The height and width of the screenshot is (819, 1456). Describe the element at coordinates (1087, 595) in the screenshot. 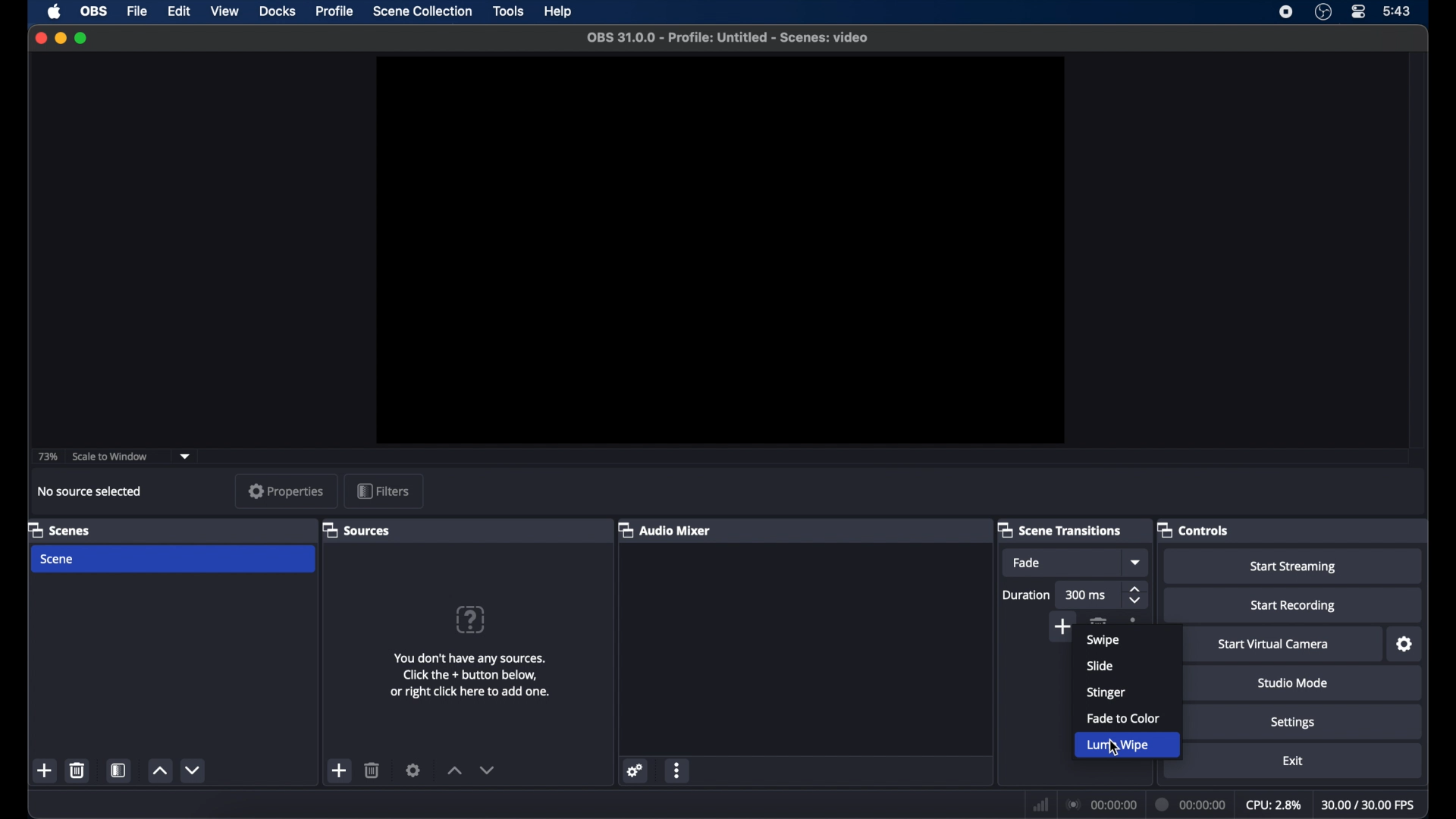

I see `300 ms` at that location.